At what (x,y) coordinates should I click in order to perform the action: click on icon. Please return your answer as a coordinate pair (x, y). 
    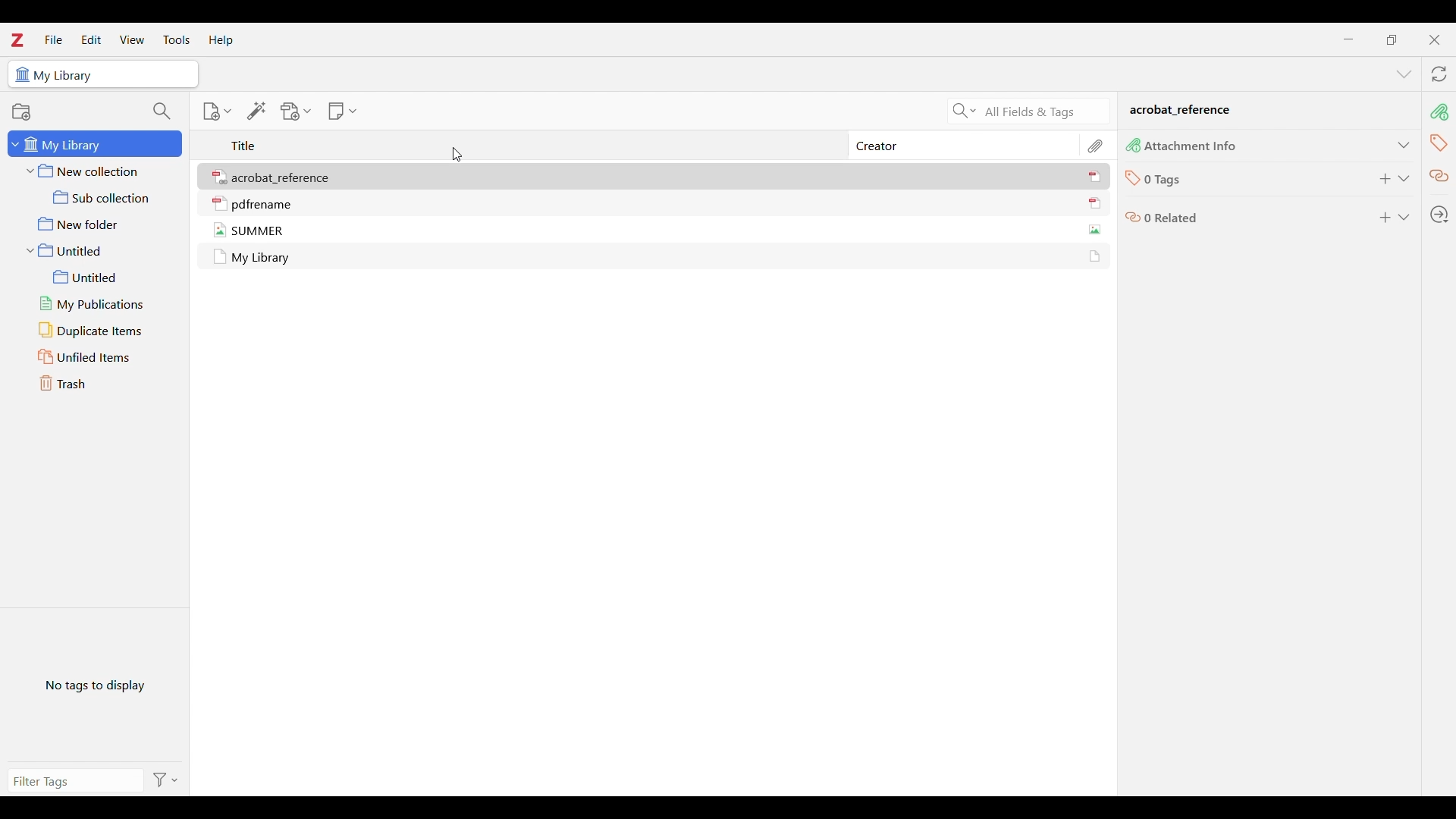
    Looking at the image, I should click on (1133, 145).